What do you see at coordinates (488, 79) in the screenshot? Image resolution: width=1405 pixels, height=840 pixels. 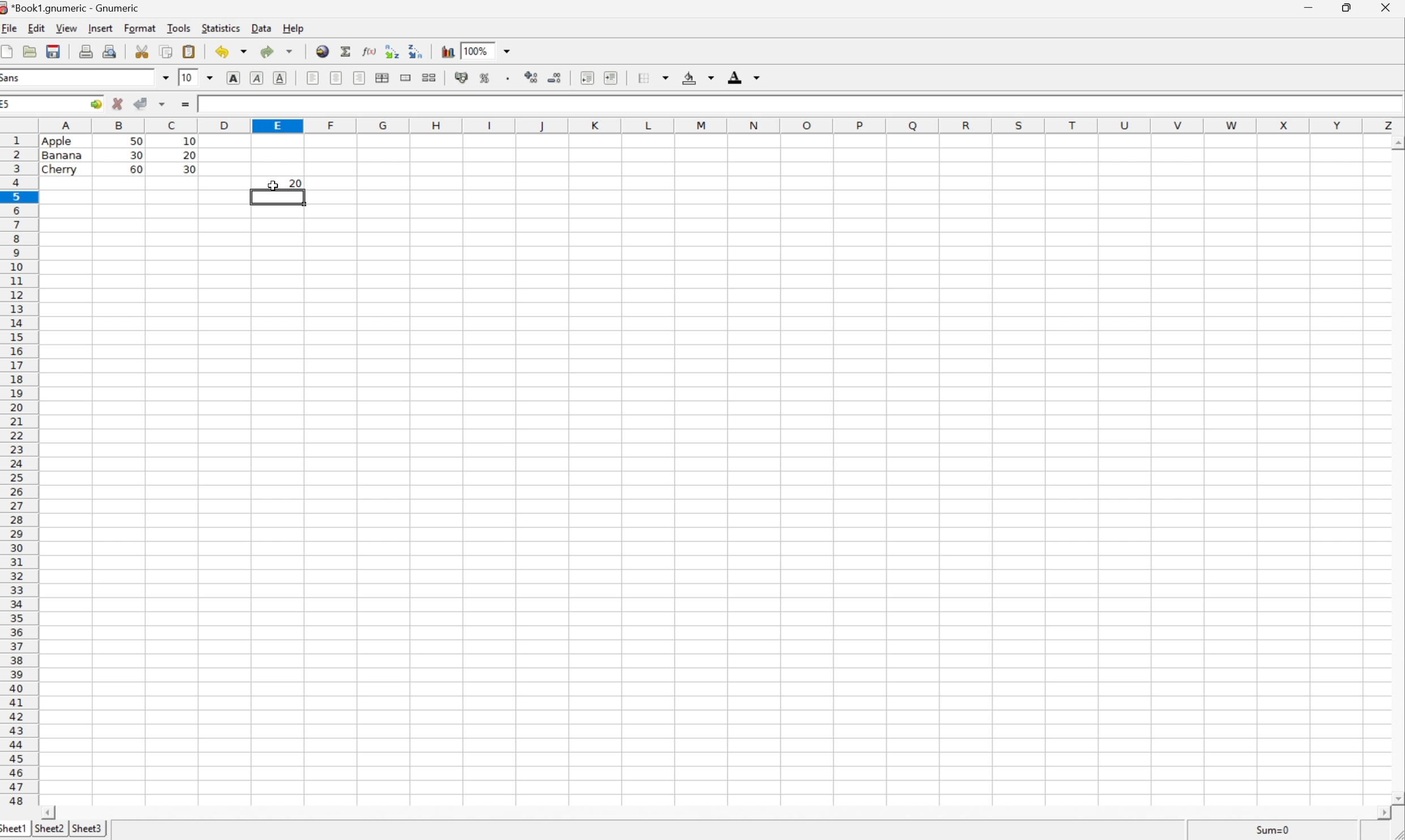 I see `format selection as percentage` at bounding box center [488, 79].